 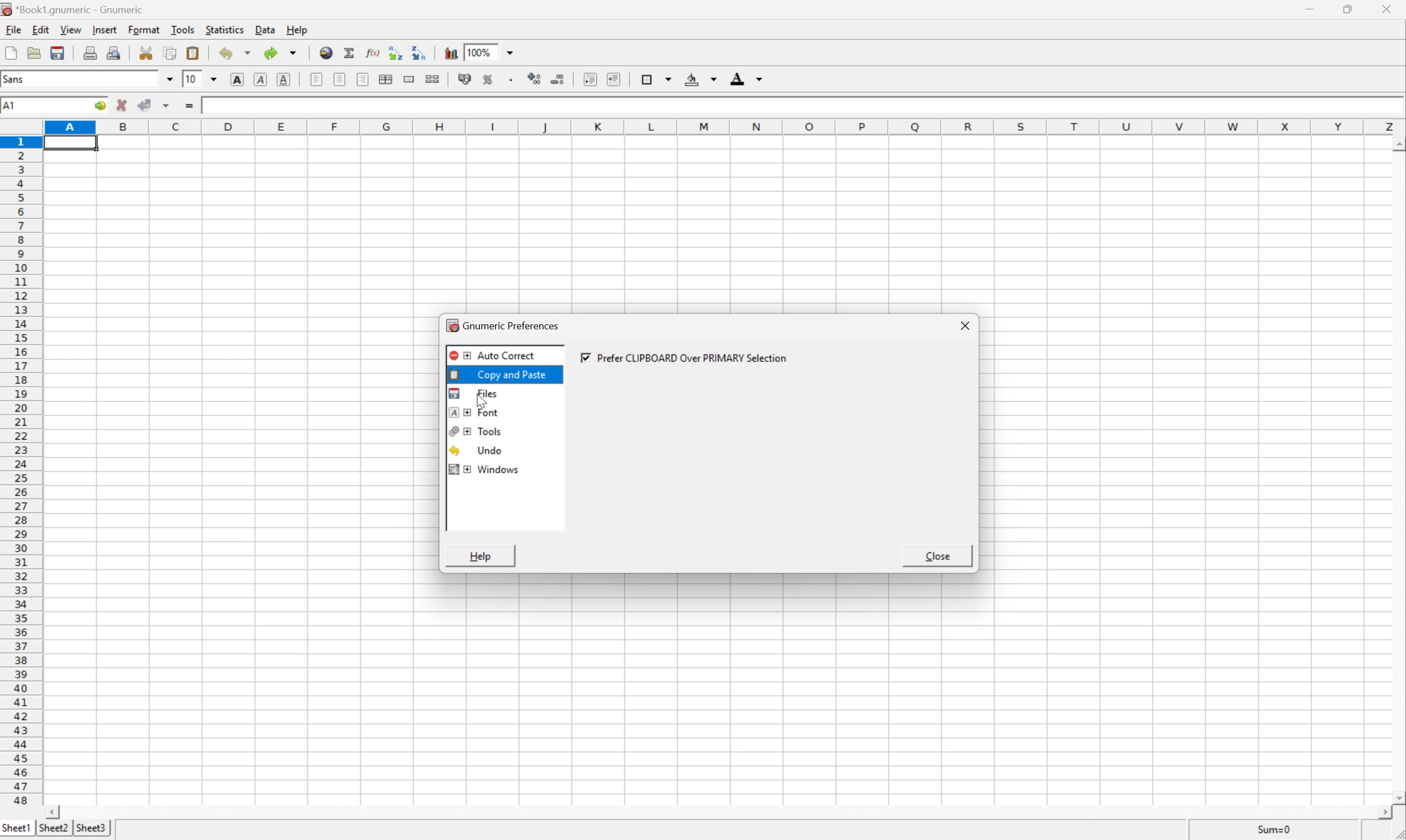 What do you see at coordinates (686, 359) in the screenshot?
I see `prefer clipboard or primary section` at bounding box center [686, 359].